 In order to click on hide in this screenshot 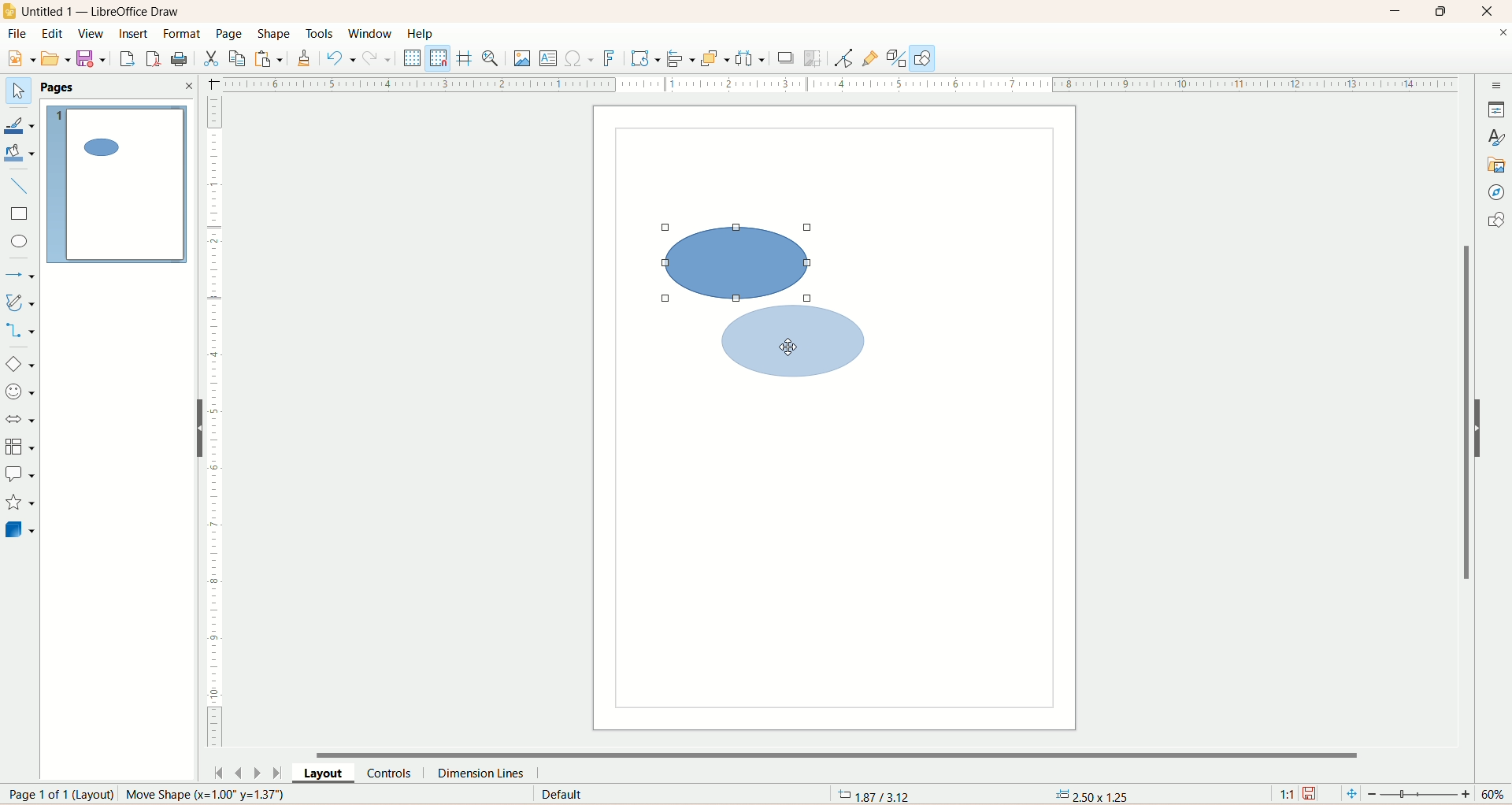, I will do `click(1482, 427)`.